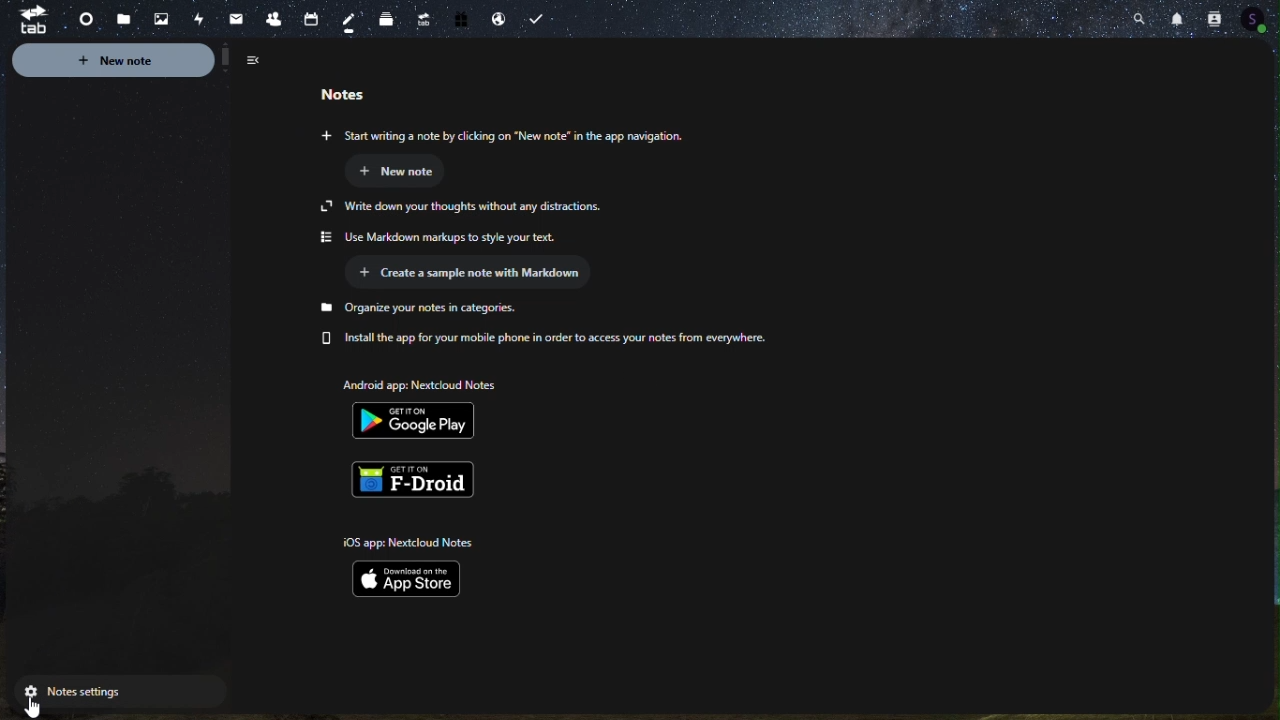  What do you see at coordinates (422, 479) in the screenshot?
I see `f-droid` at bounding box center [422, 479].